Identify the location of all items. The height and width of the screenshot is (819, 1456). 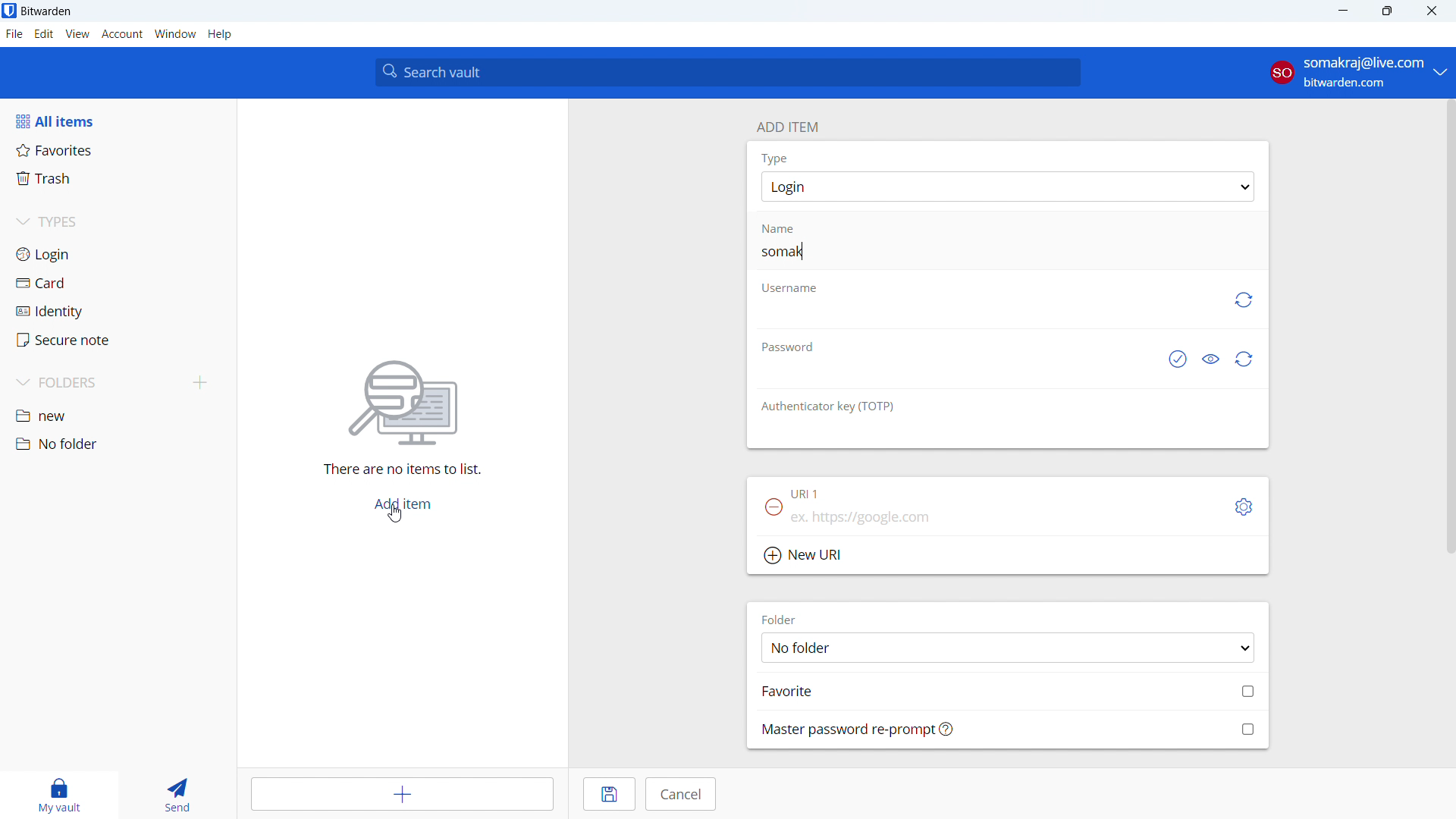
(118, 121).